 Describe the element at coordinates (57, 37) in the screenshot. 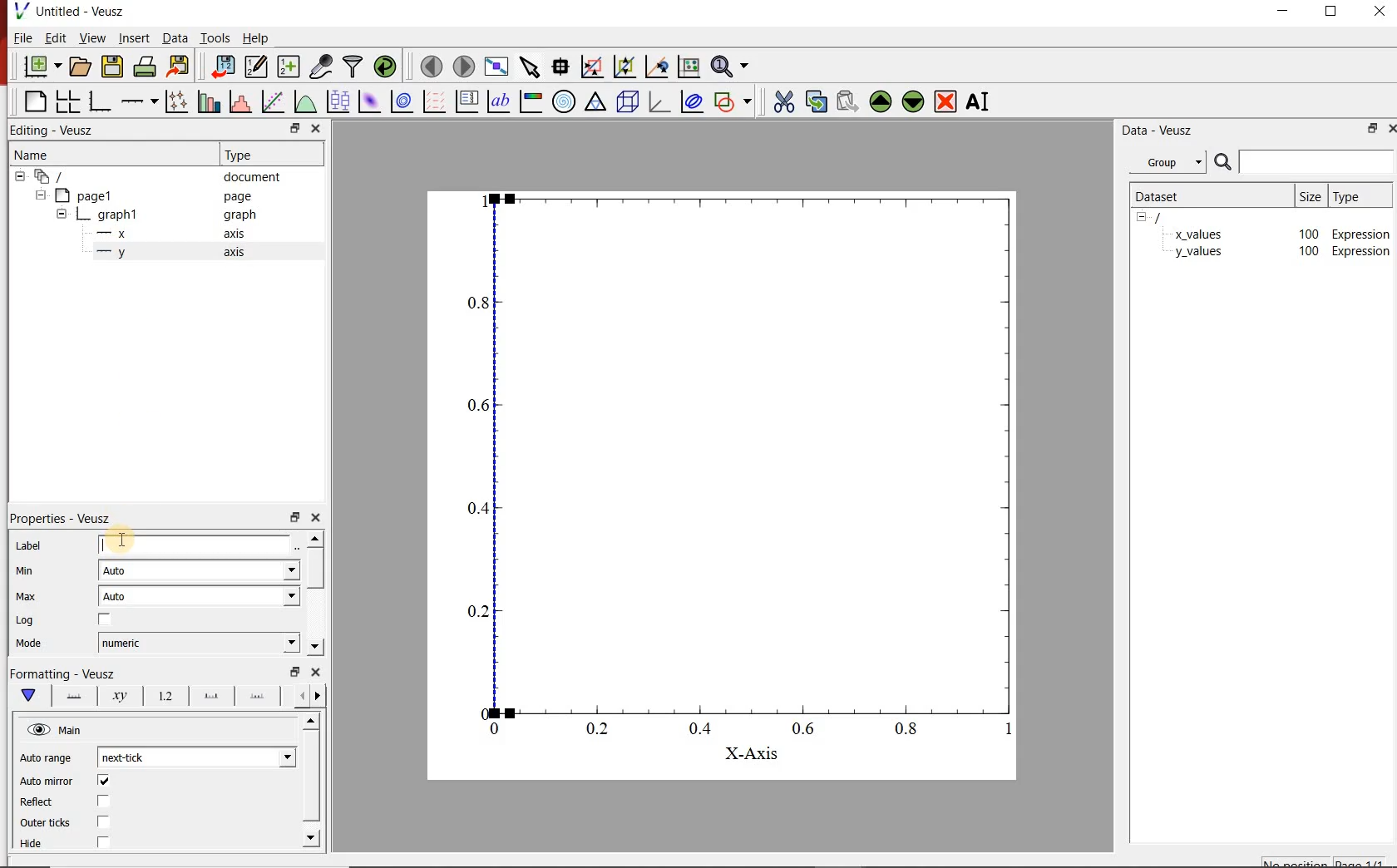

I see `edit ` at that location.